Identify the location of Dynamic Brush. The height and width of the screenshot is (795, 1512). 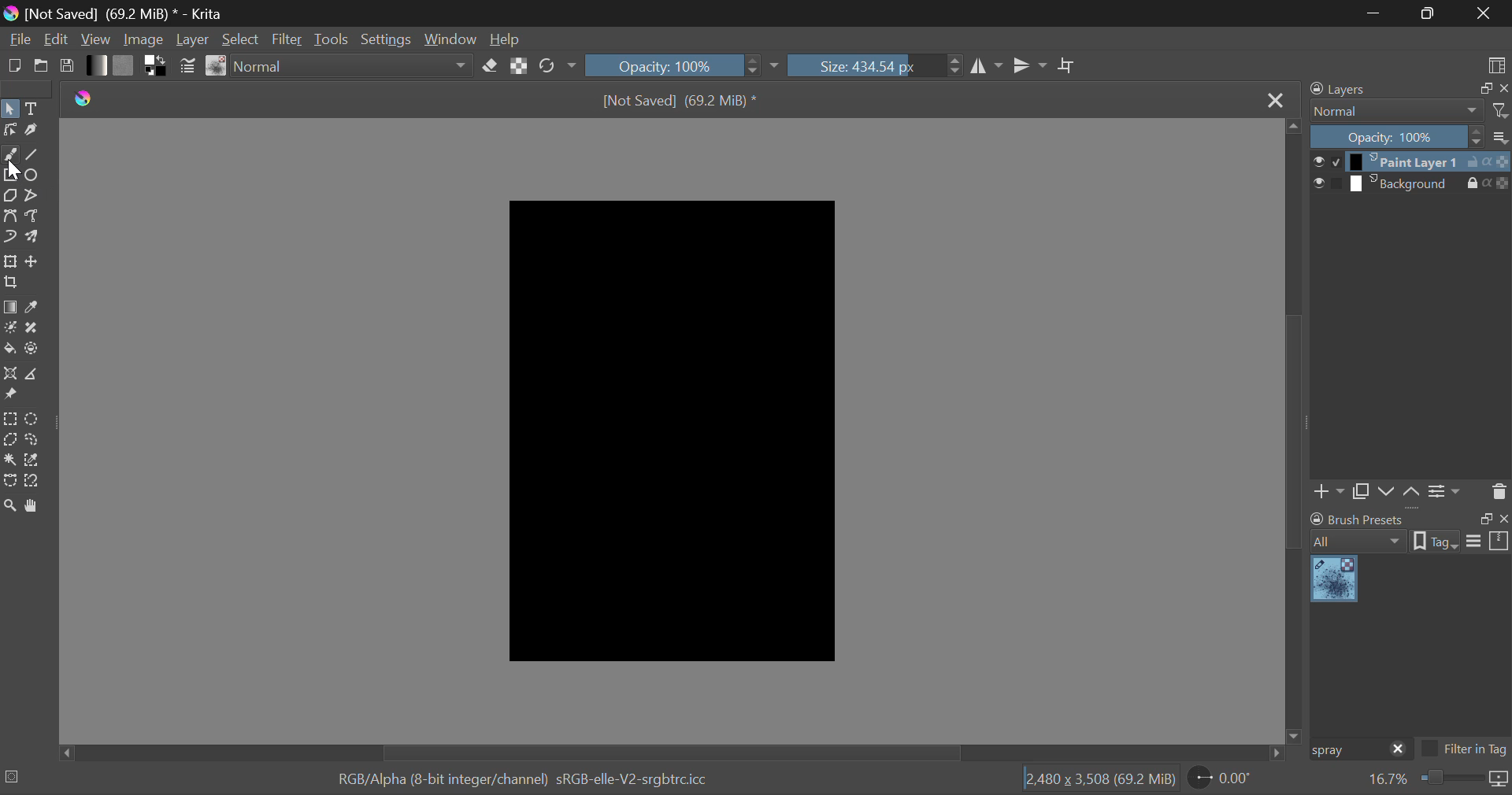
(9, 235).